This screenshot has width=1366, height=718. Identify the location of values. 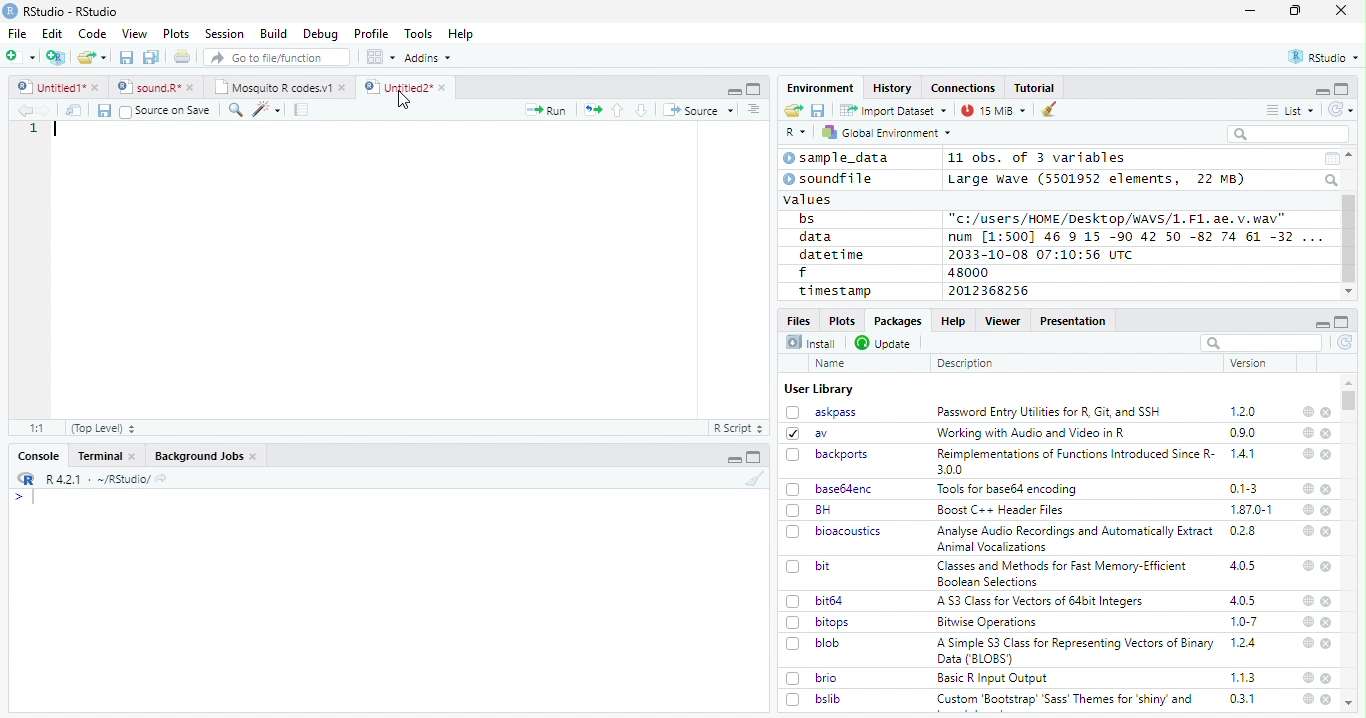
(809, 198).